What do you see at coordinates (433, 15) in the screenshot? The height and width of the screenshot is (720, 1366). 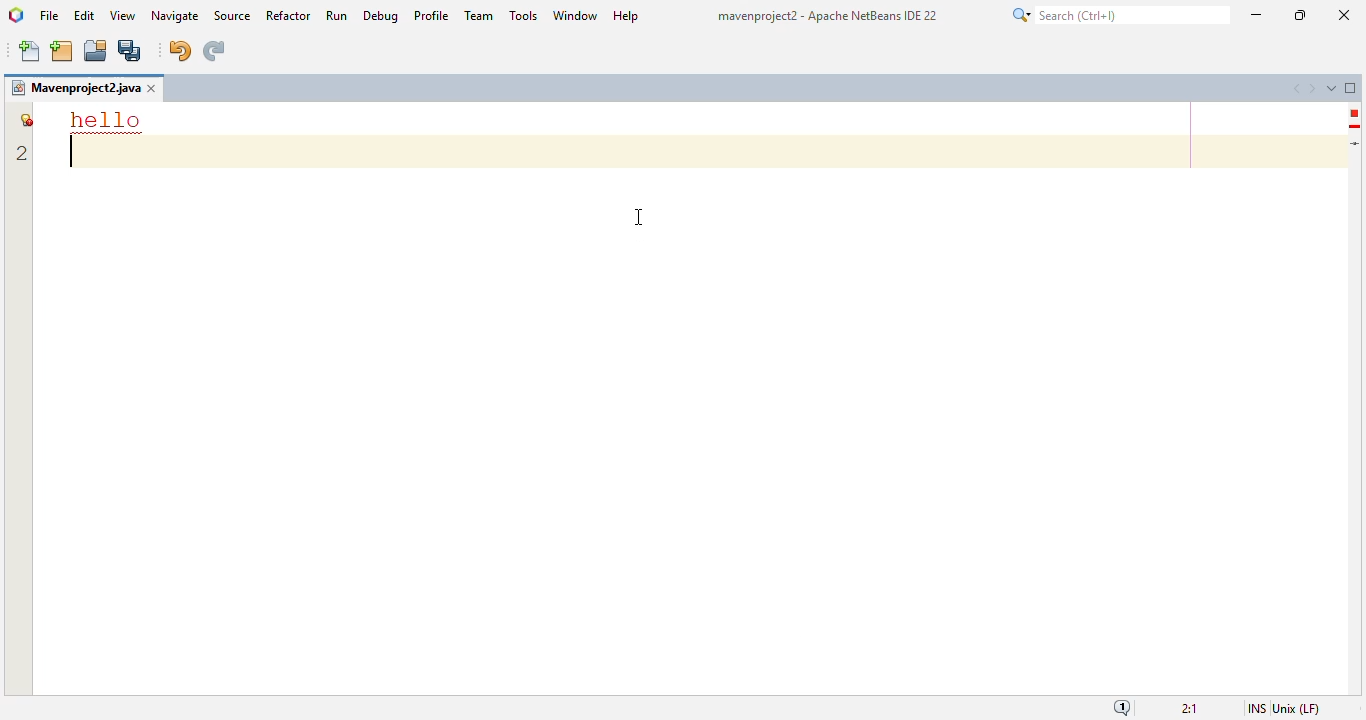 I see `profile` at bounding box center [433, 15].